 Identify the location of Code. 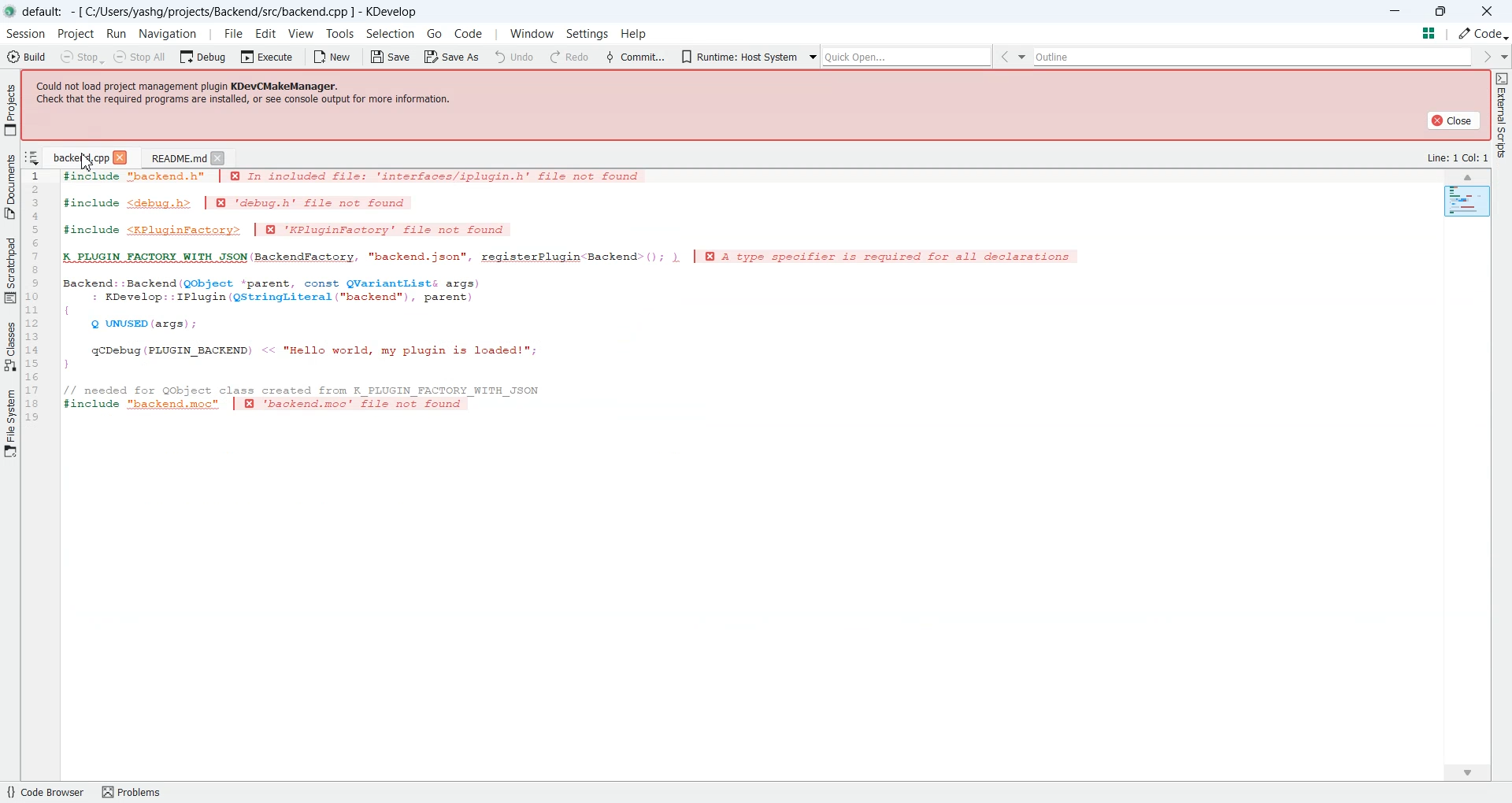
(1473, 33).